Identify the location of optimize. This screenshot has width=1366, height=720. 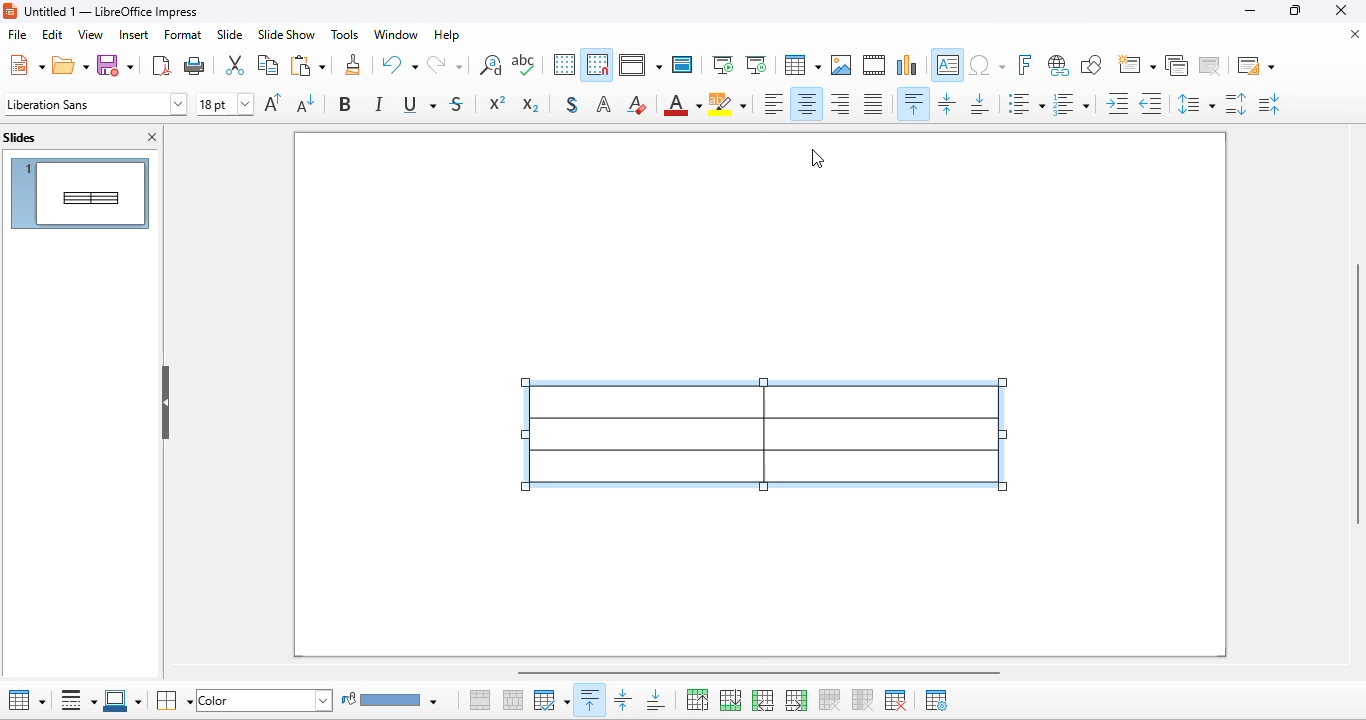
(552, 700).